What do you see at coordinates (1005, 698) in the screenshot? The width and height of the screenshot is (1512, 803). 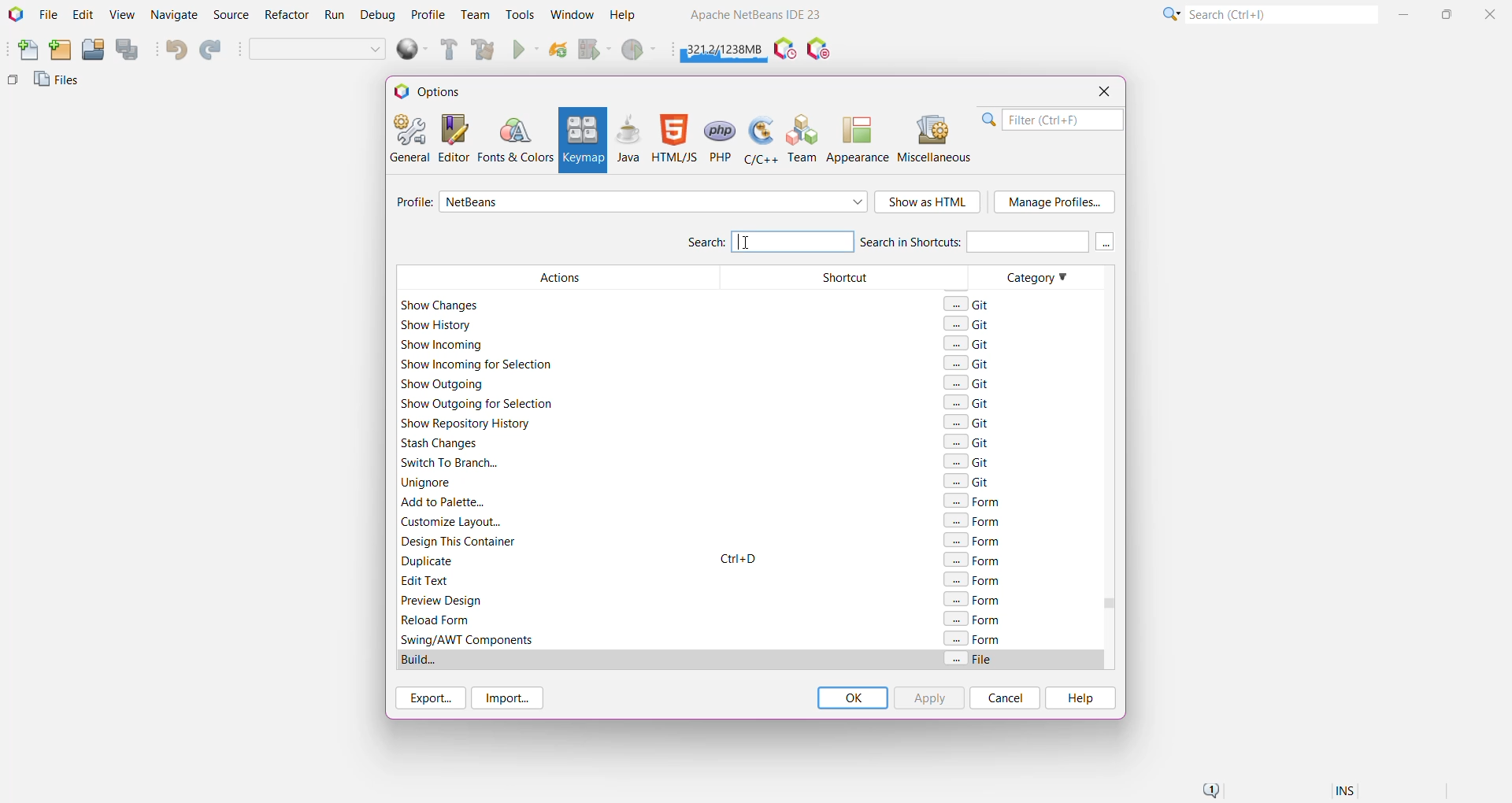 I see `Cancel` at bounding box center [1005, 698].